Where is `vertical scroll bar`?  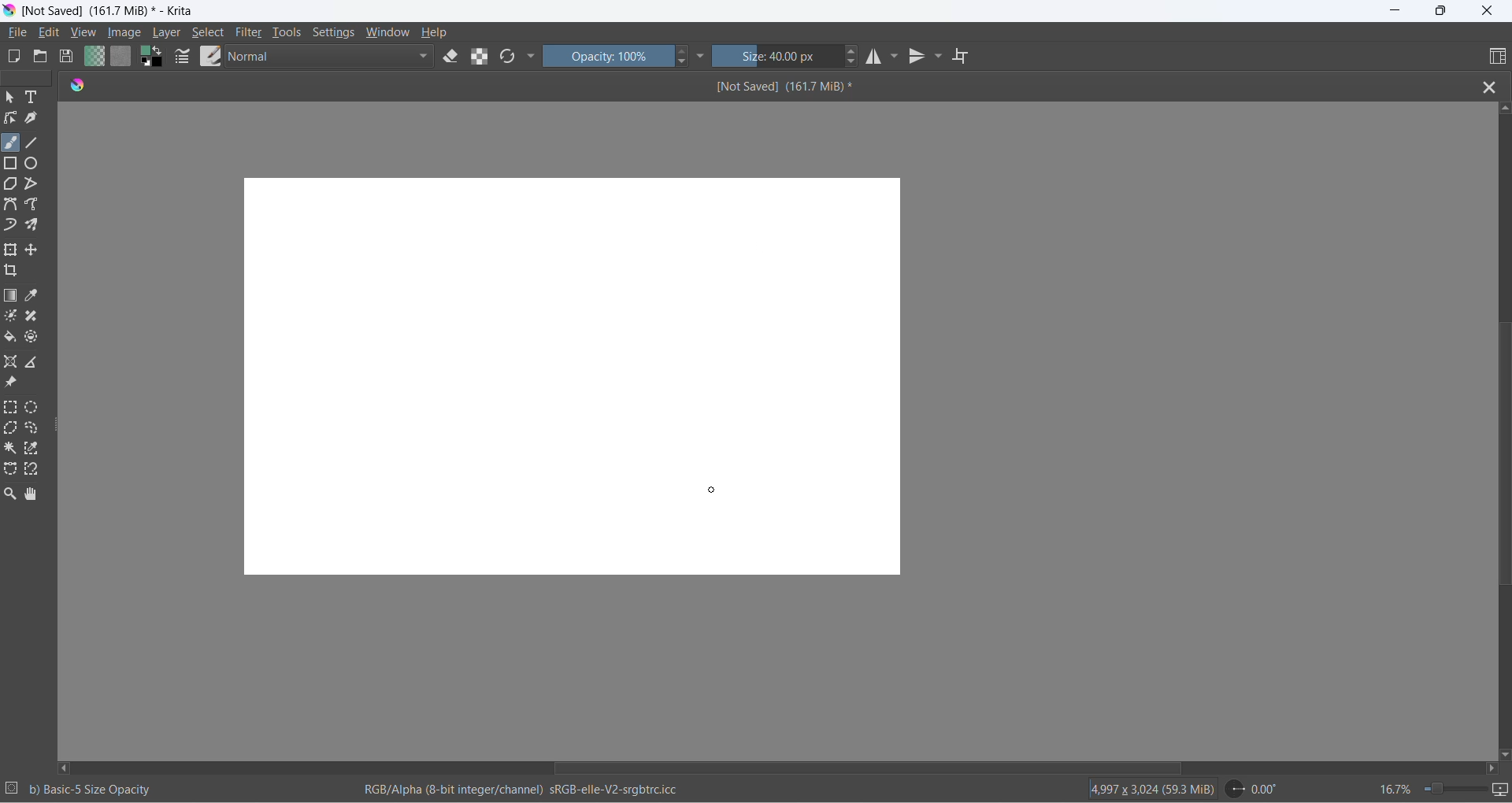
vertical scroll bar is located at coordinates (1503, 454).